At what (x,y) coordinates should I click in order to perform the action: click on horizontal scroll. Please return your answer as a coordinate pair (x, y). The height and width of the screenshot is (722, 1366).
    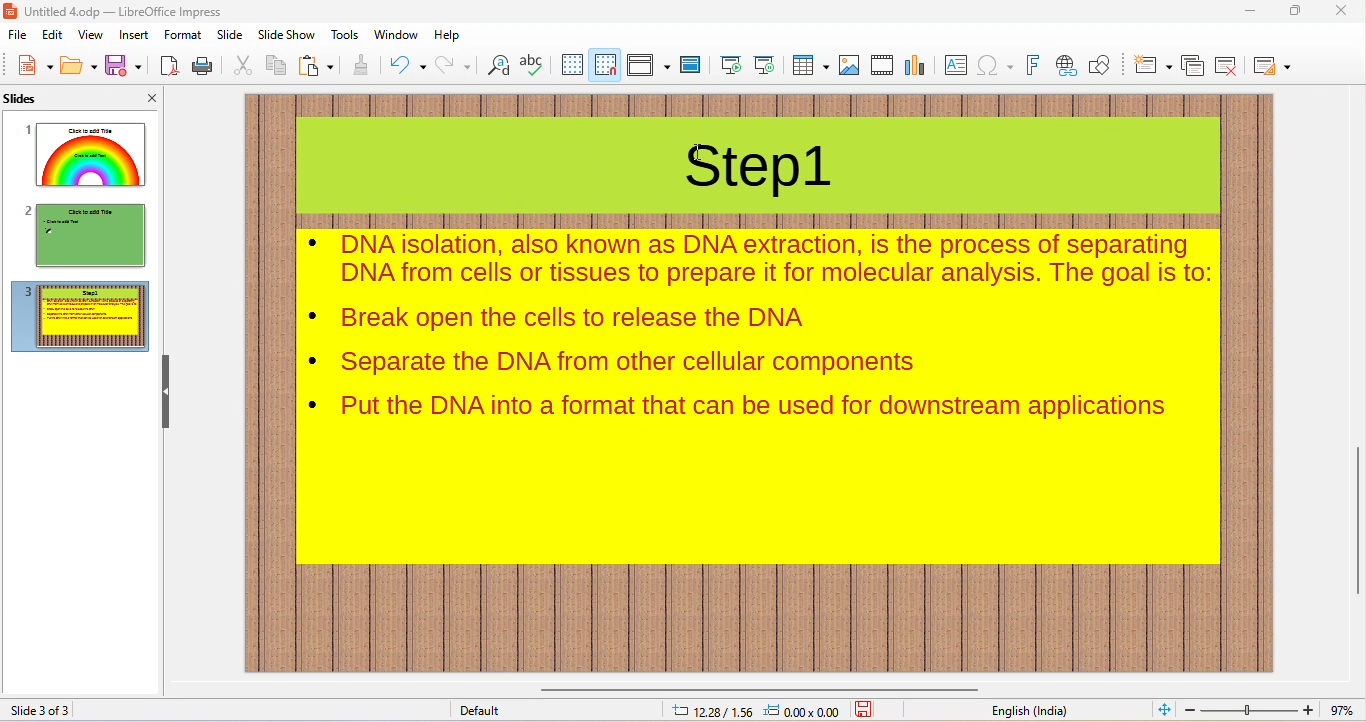
    Looking at the image, I should click on (782, 690).